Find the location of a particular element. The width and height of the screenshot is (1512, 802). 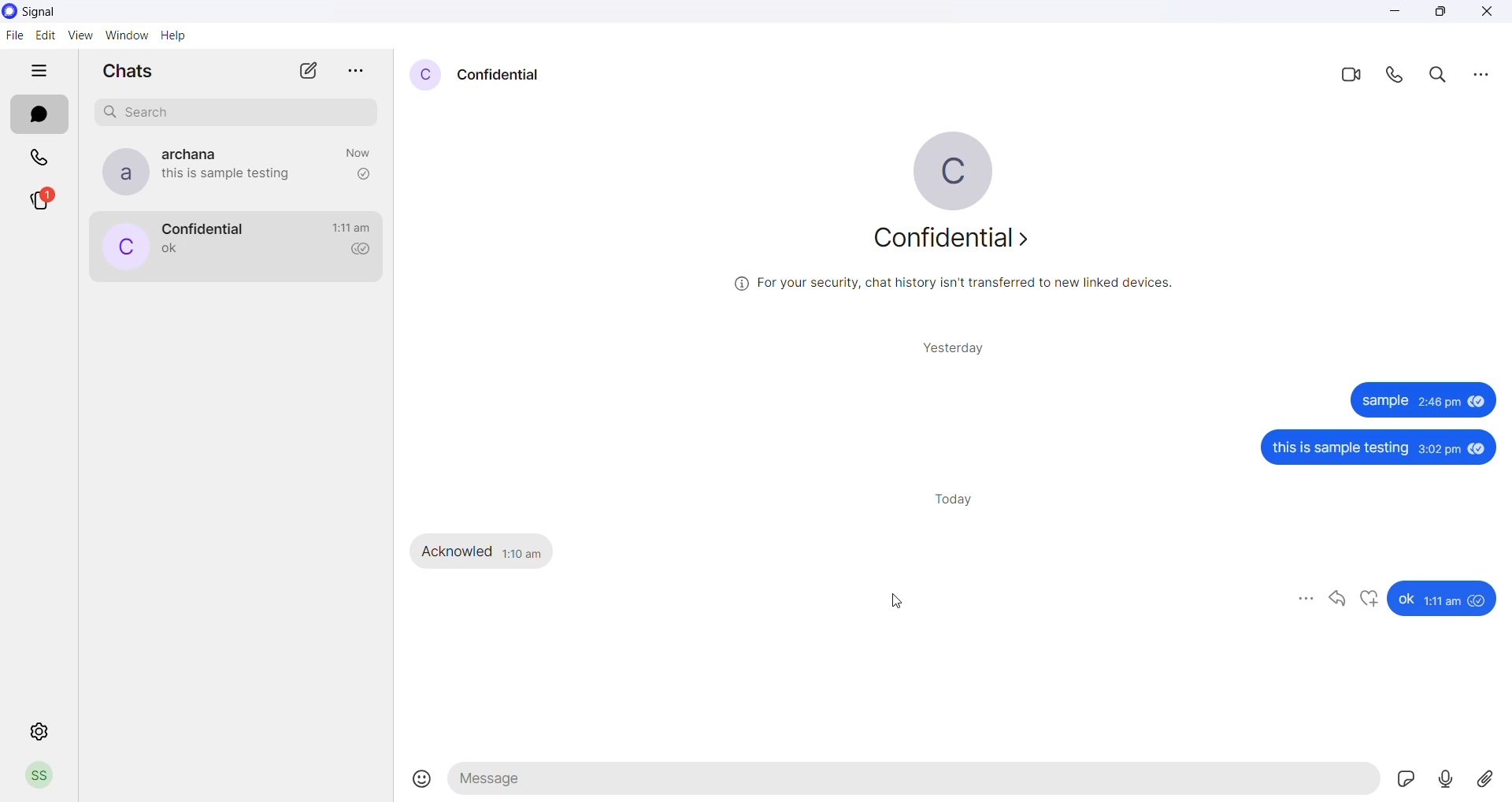

voice call is located at coordinates (1398, 75).